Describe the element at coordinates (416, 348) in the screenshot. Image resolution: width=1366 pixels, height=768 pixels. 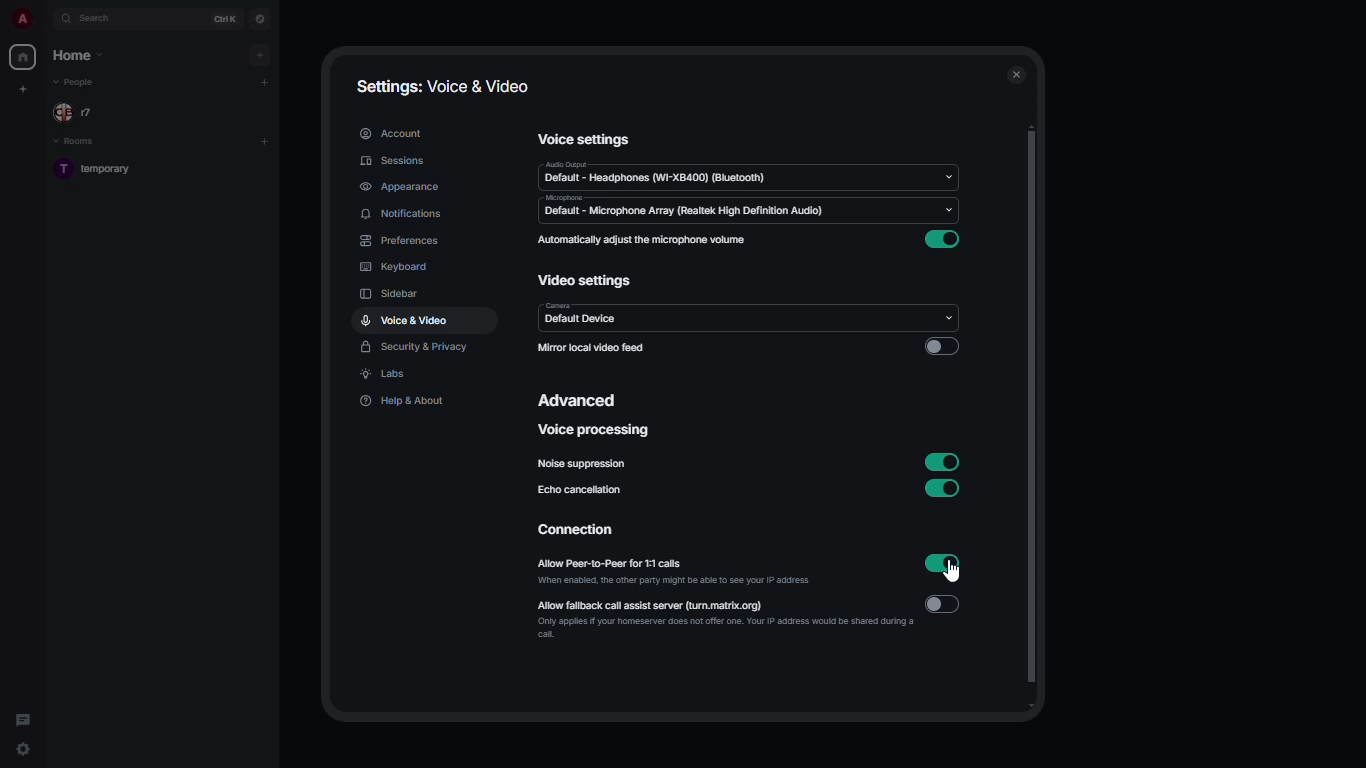
I see `security & privacy` at that location.